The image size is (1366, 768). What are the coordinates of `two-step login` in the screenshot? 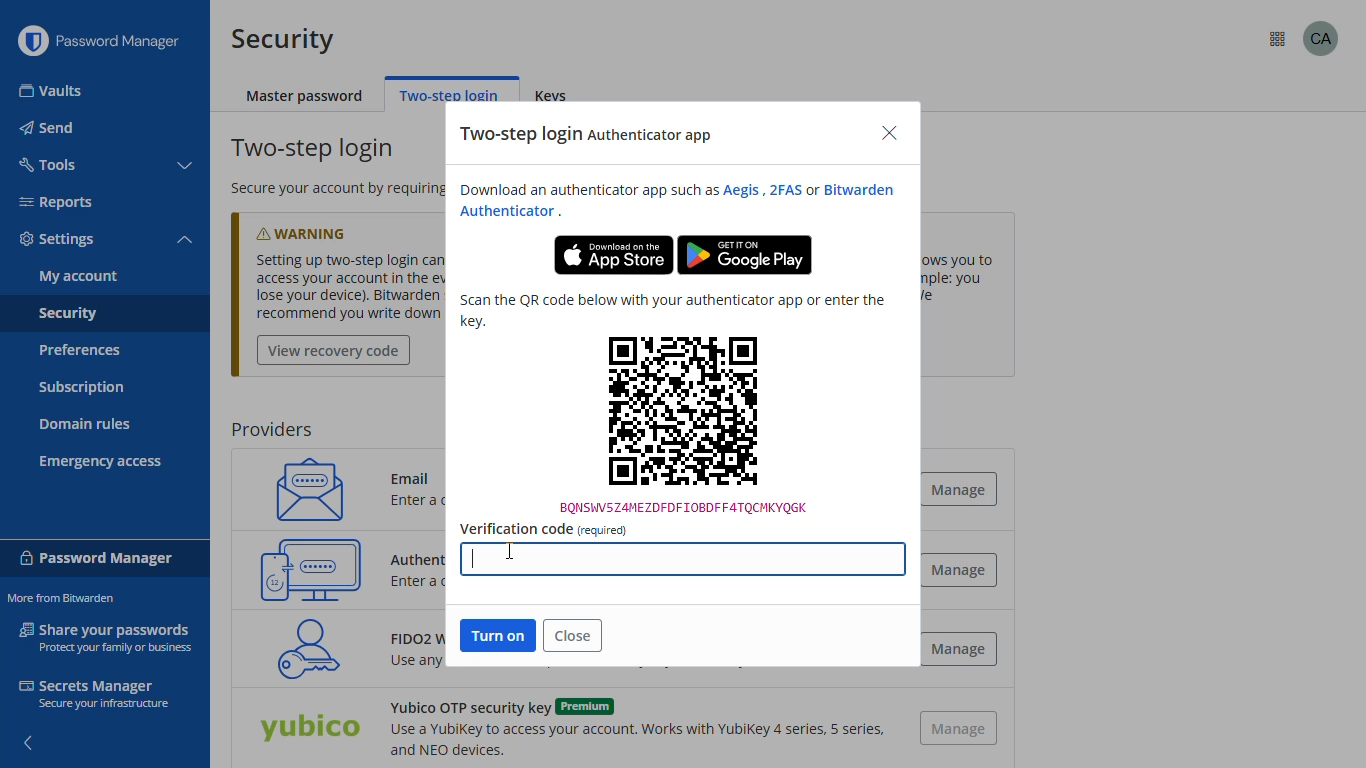 It's located at (449, 95).